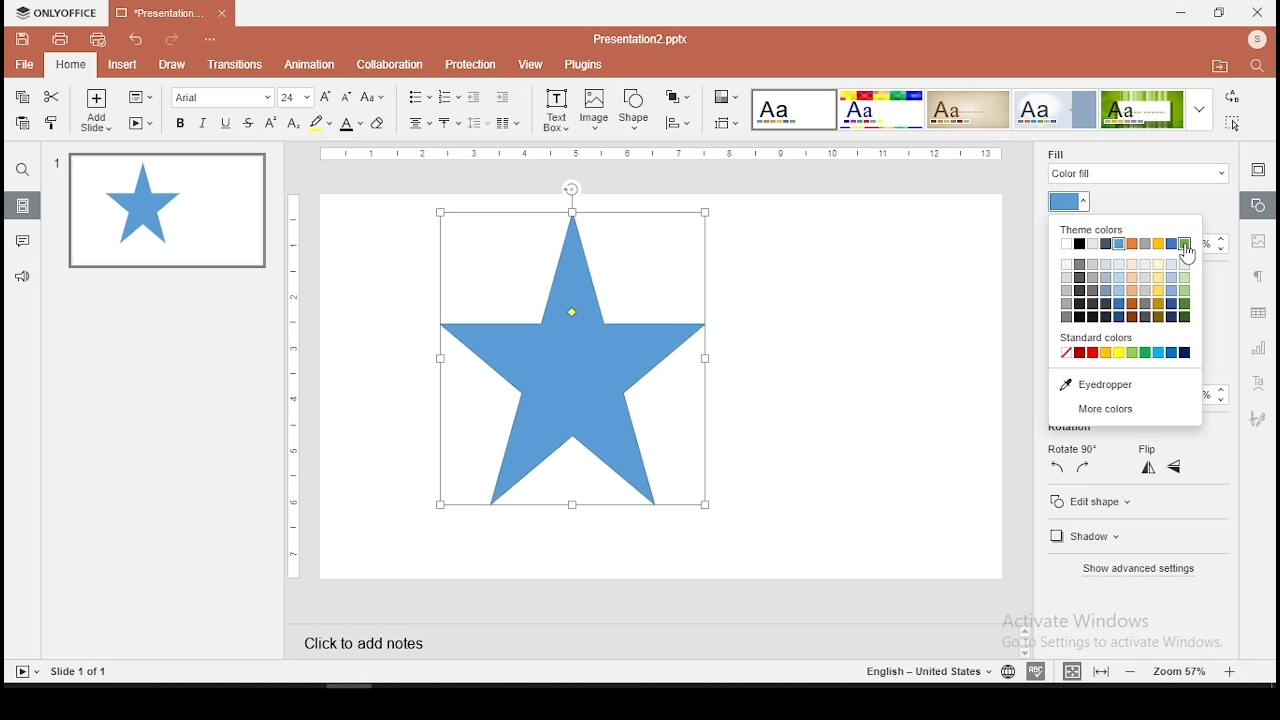 This screenshot has width=1280, height=720. What do you see at coordinates (51, 97) in the screenshot?
I see `cut` at bounding box center [51, 97].